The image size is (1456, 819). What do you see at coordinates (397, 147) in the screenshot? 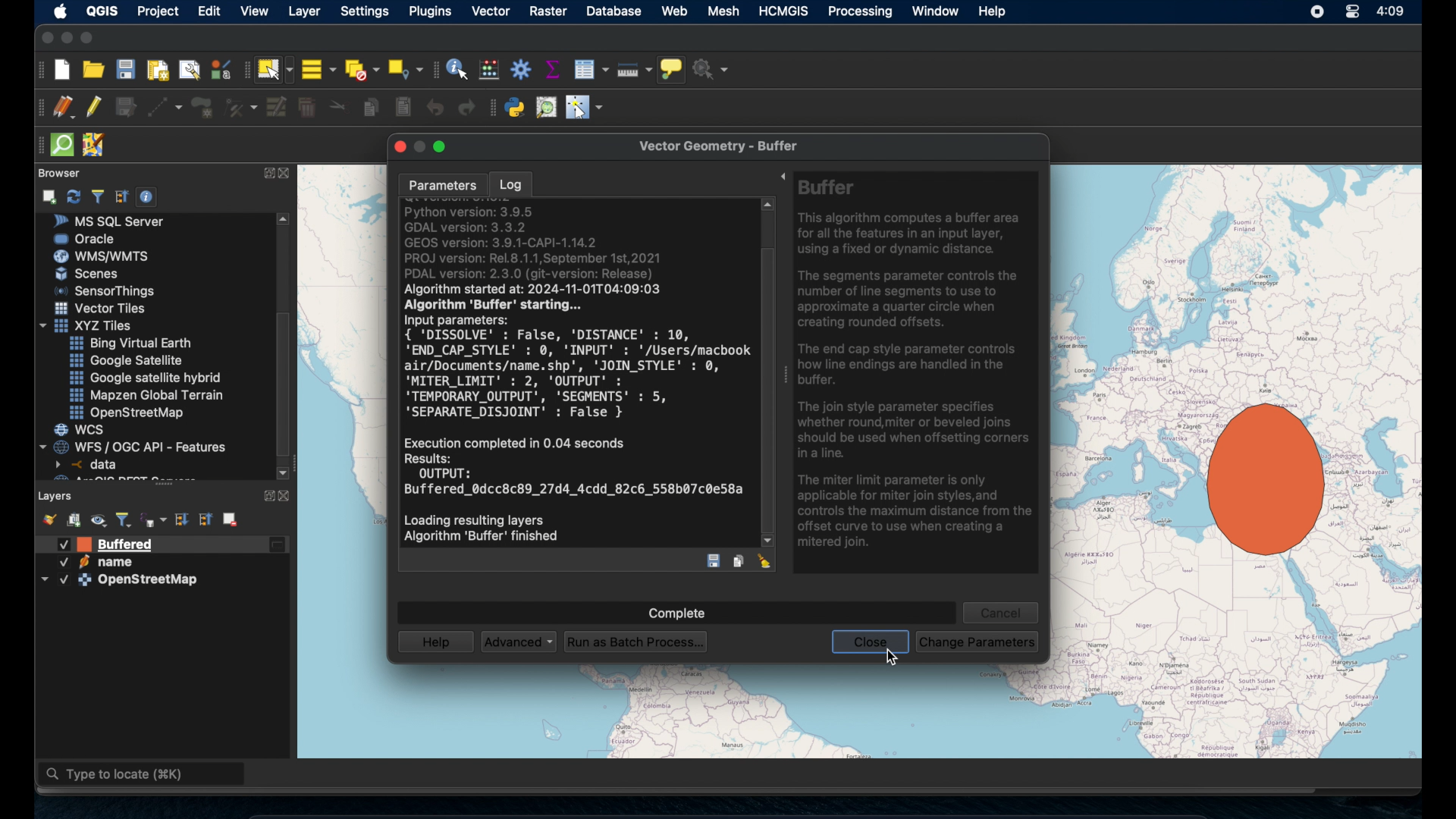
I see `close` at bounding box center [397, 147].